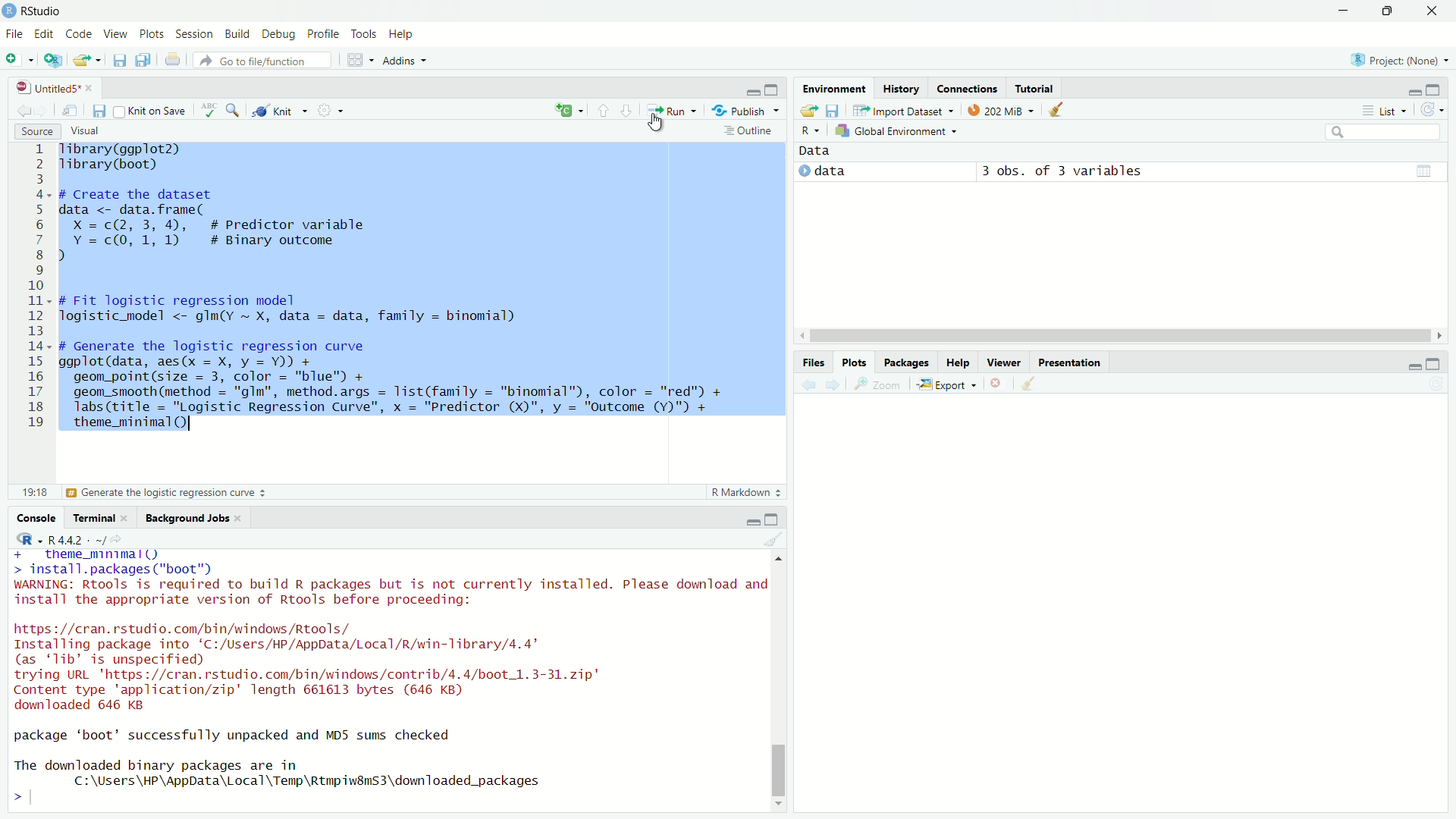 This screenshot has height=819, width=1456. What do you see at coordinates (44, 111) in the screenshot?
I see `Go forward to next source location` at bounding box center [44, 111].